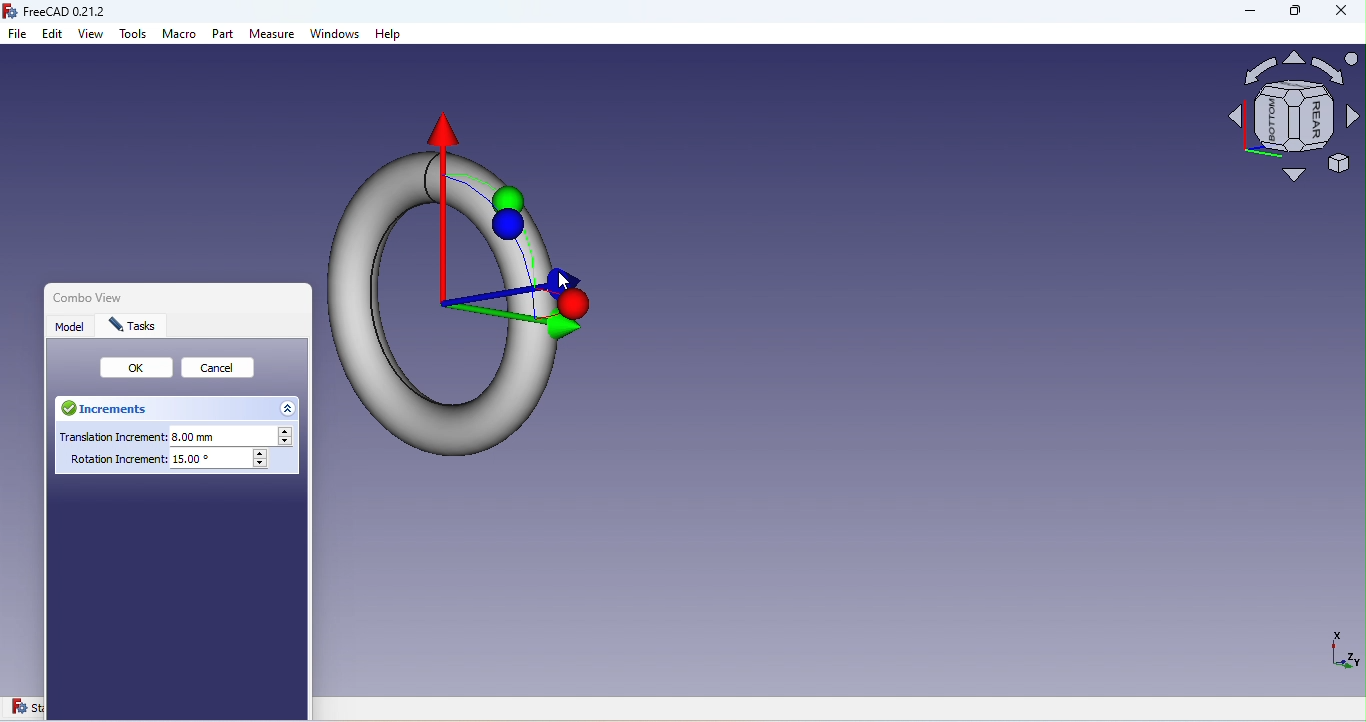 The width and height of the screenshot is (1366, 722). What do you see at coordinates (180, 37) in the screenshot?
I see `Macro` at bounding box center [180, 37].